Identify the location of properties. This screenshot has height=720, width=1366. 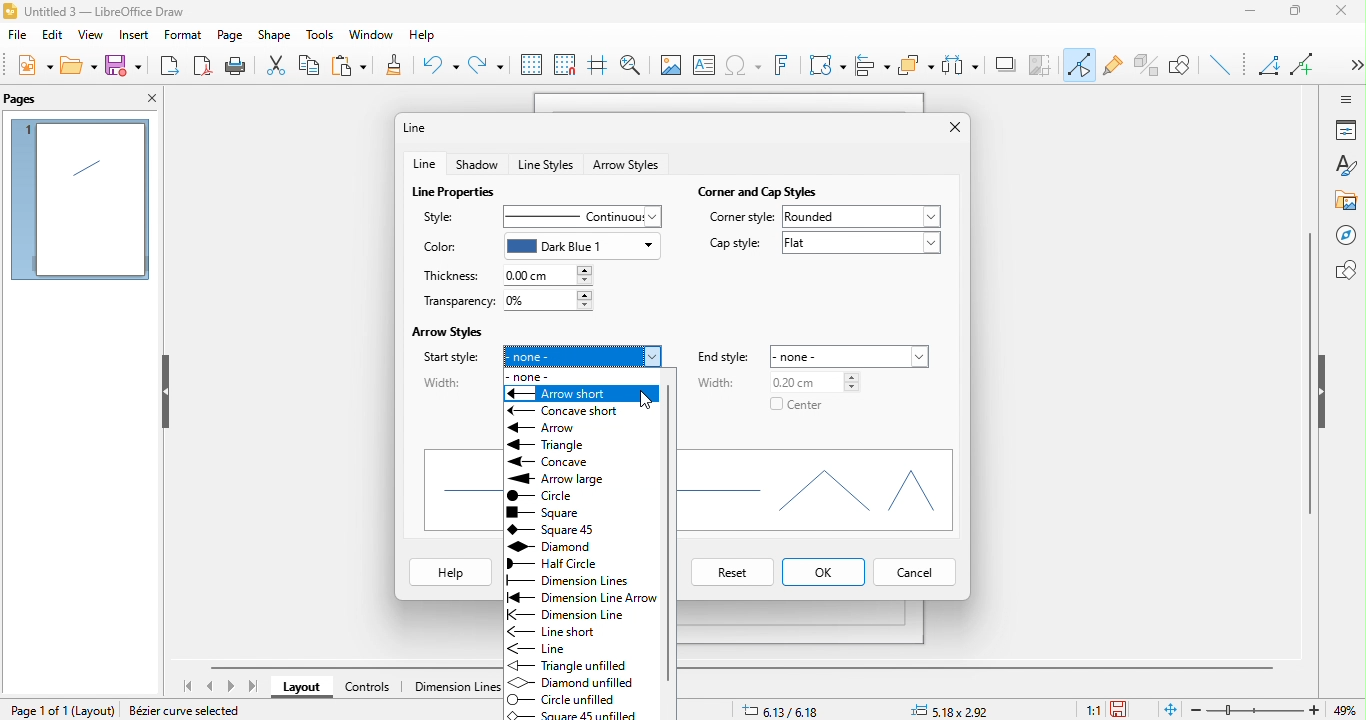
(1346, 130).